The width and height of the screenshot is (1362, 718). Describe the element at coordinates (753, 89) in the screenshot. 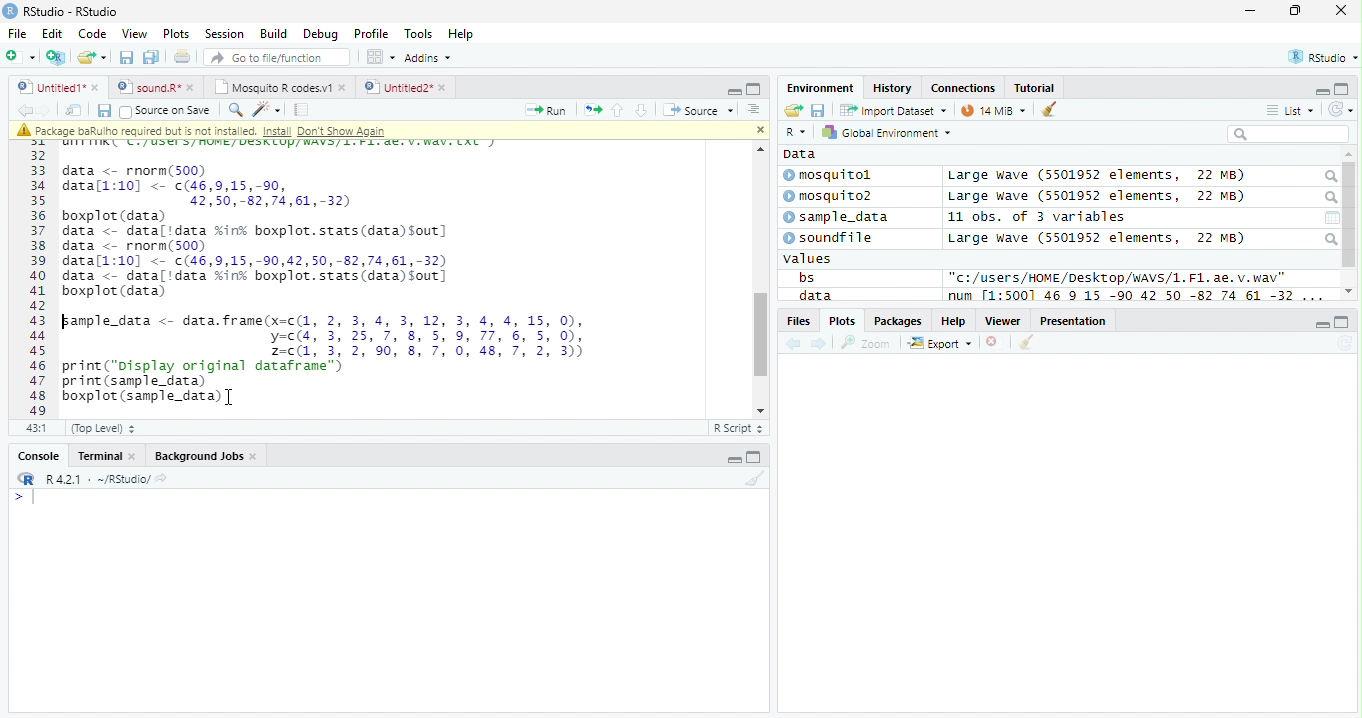

I see `Full screen` at that location.